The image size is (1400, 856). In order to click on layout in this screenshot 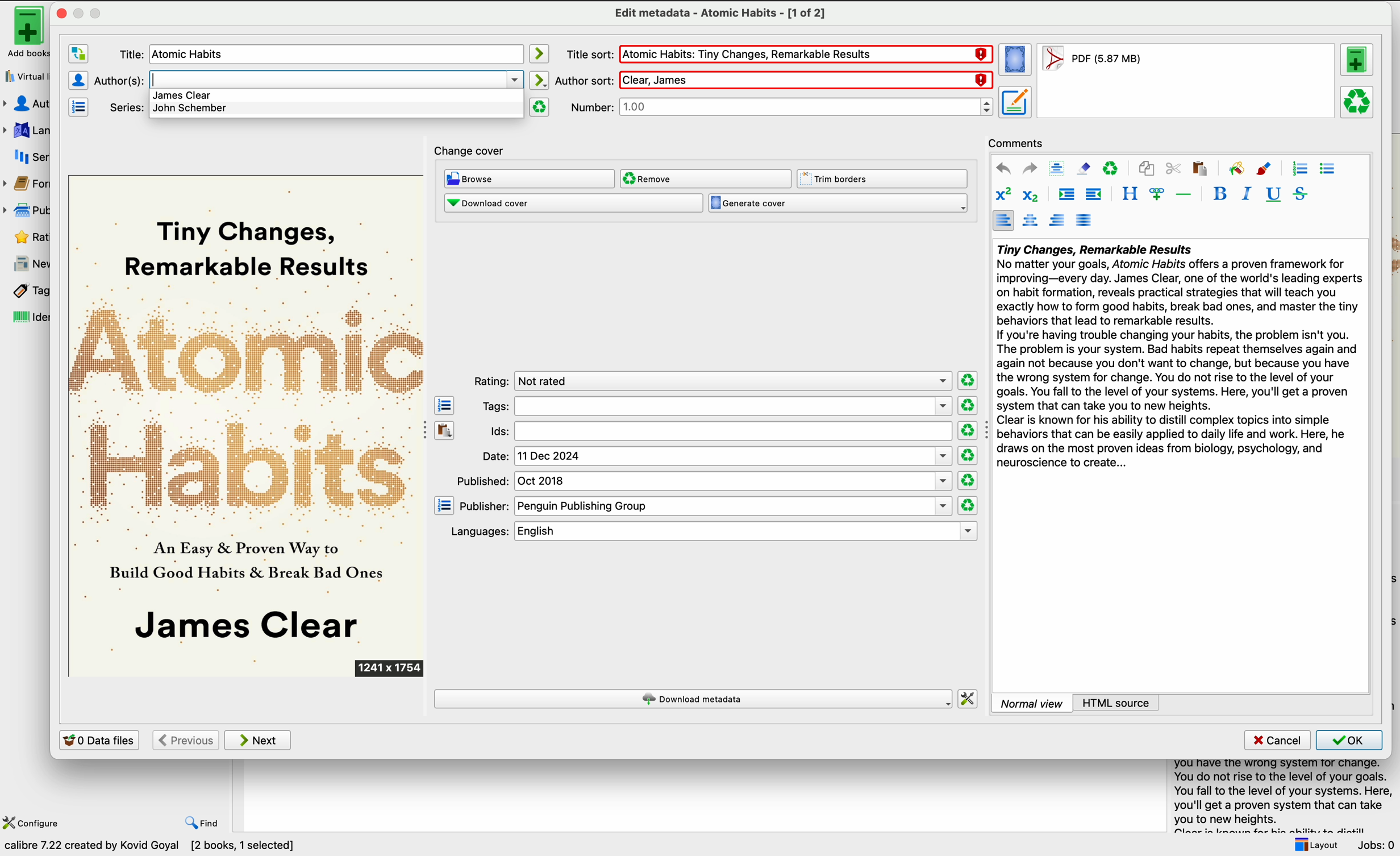, I will do `click(1315, 845)`.